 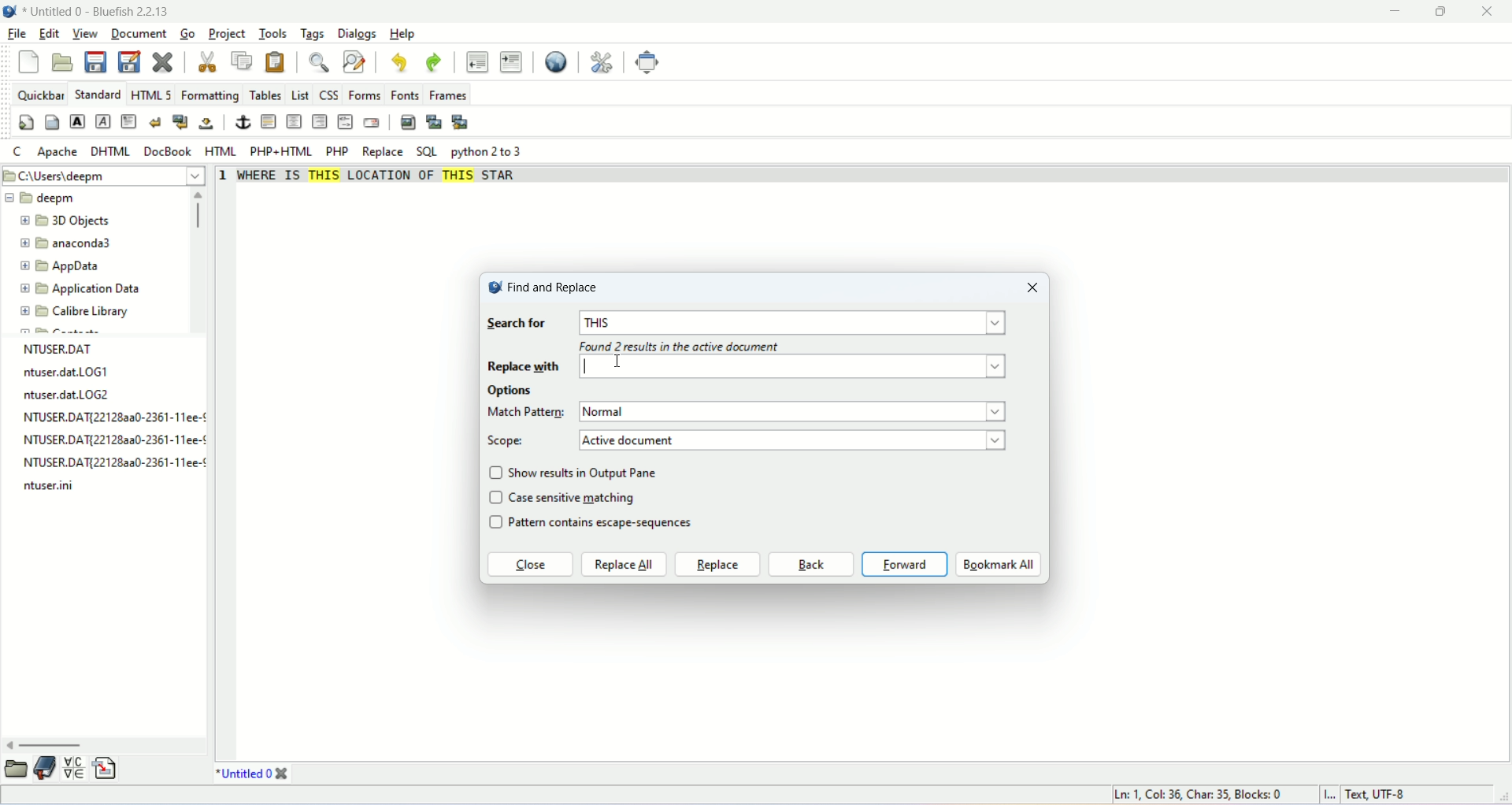 What do you see at coordinates (406, 123) in the screenshot?
I see `insert image` at bounding box center [406, 123].